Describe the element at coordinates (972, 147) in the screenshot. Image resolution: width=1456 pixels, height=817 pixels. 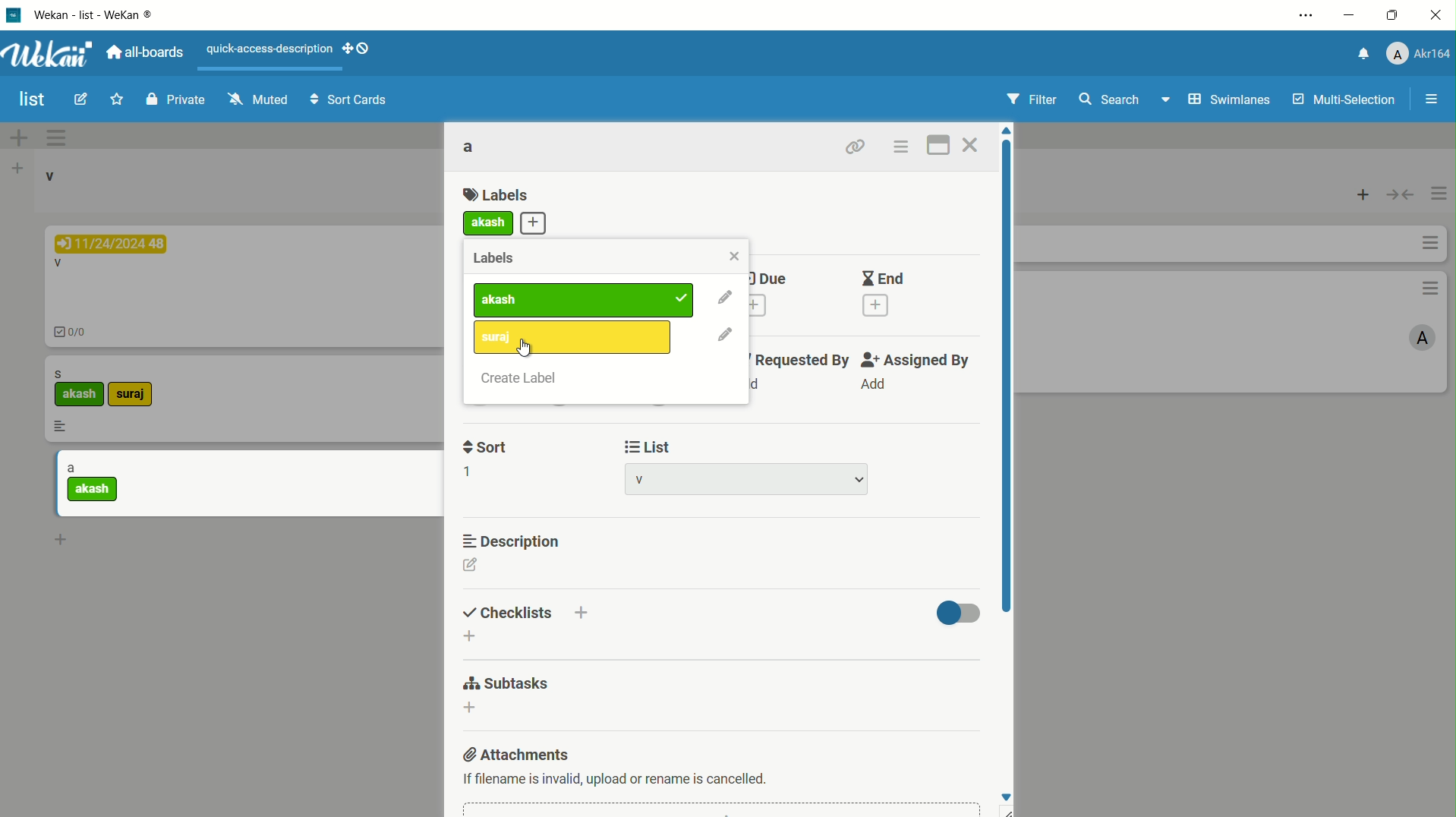
I see `close card` at that location.